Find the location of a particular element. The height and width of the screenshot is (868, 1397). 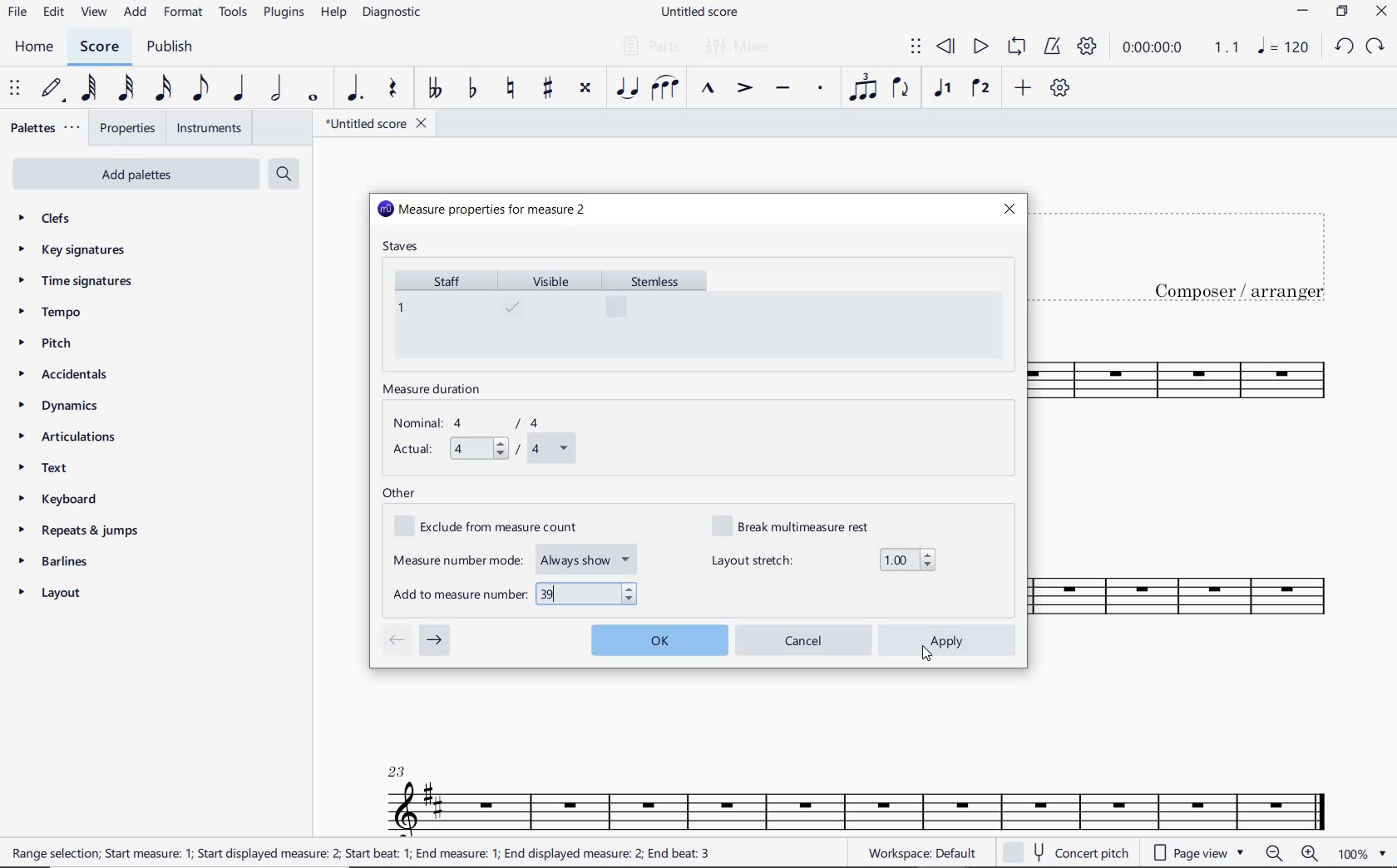

MARCATO is located at coordinates (706, 90).